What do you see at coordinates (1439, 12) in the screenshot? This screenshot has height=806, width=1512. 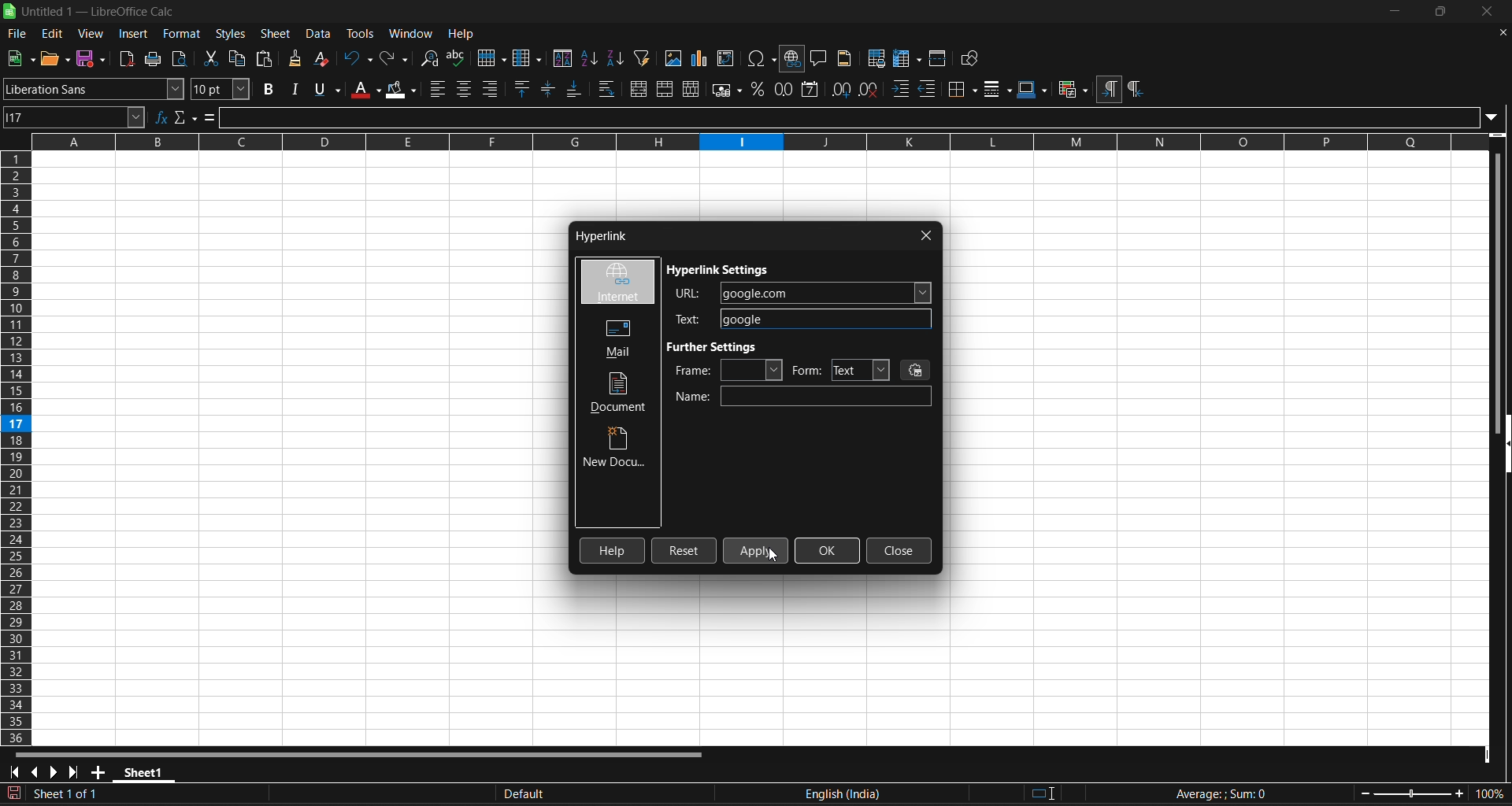 I see `maximize` at bounding box center [1439, 12].